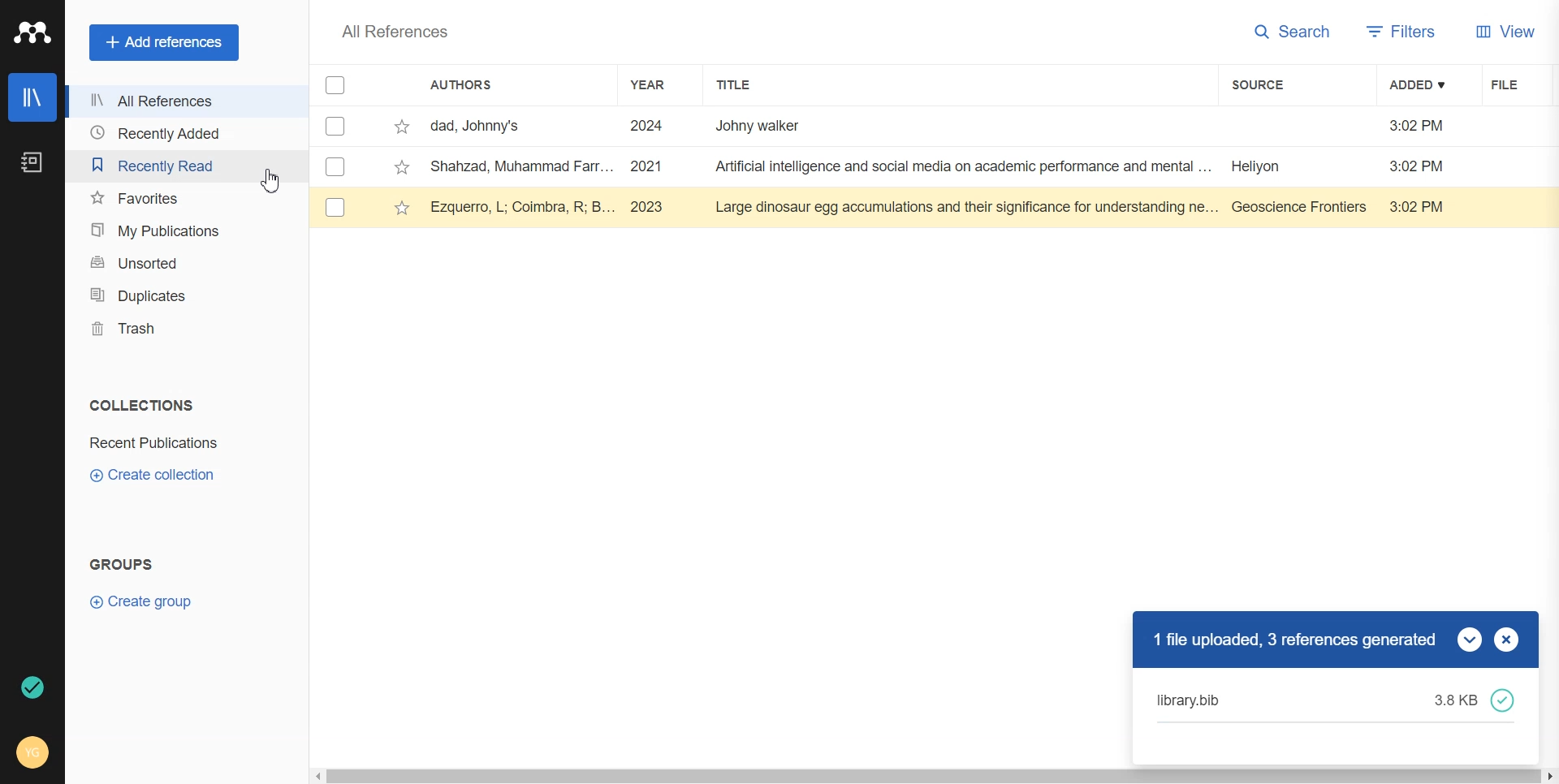 This screenshot has width=1559, height=784. Describe the element at coordinates (1506, 638) in the screenshot. I see `Close` at that location.